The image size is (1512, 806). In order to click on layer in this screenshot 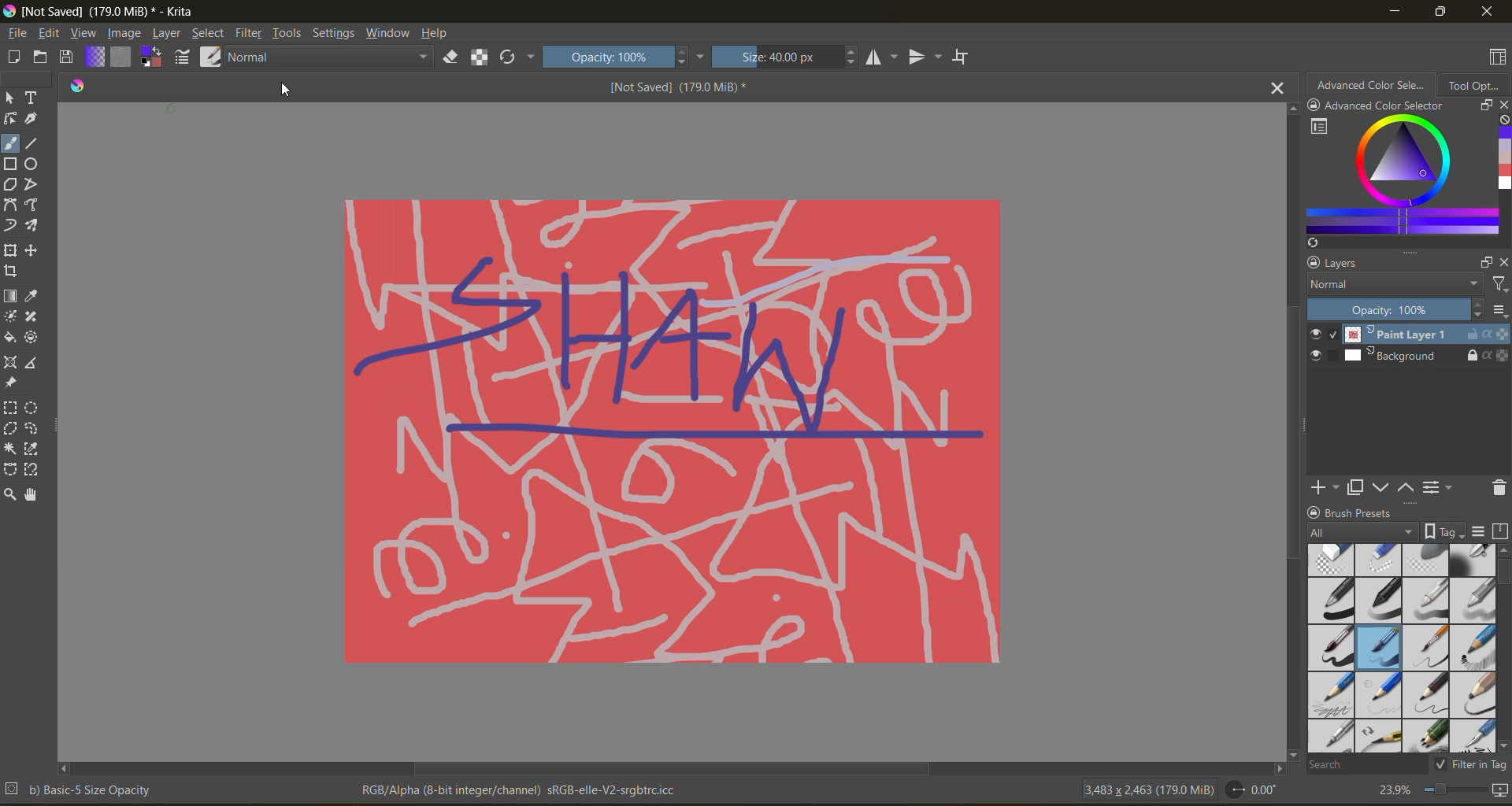, I will do `click(165, 33)`.